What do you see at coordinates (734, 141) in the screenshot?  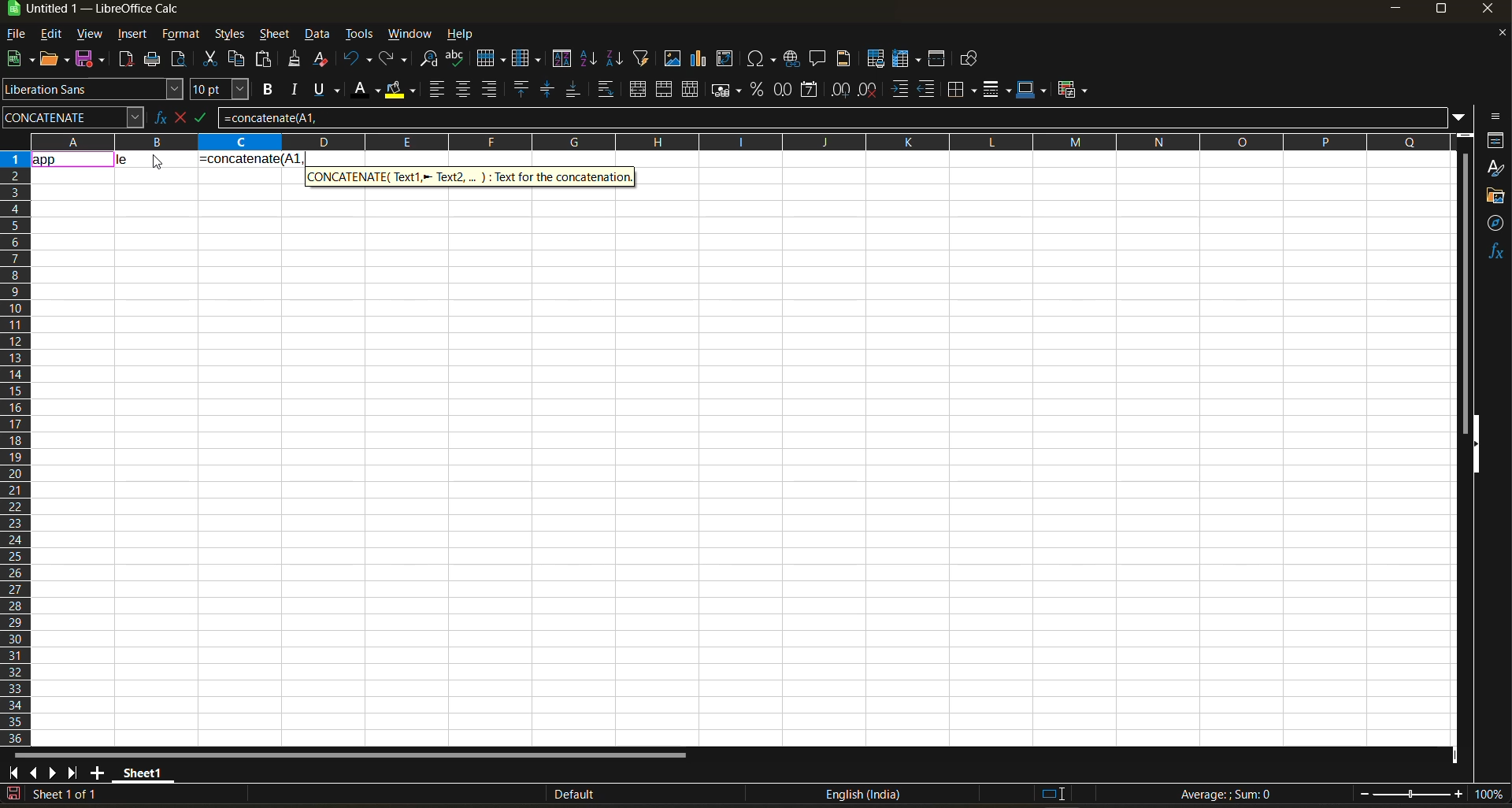 I see `rows` at bounding box center [734, 141].